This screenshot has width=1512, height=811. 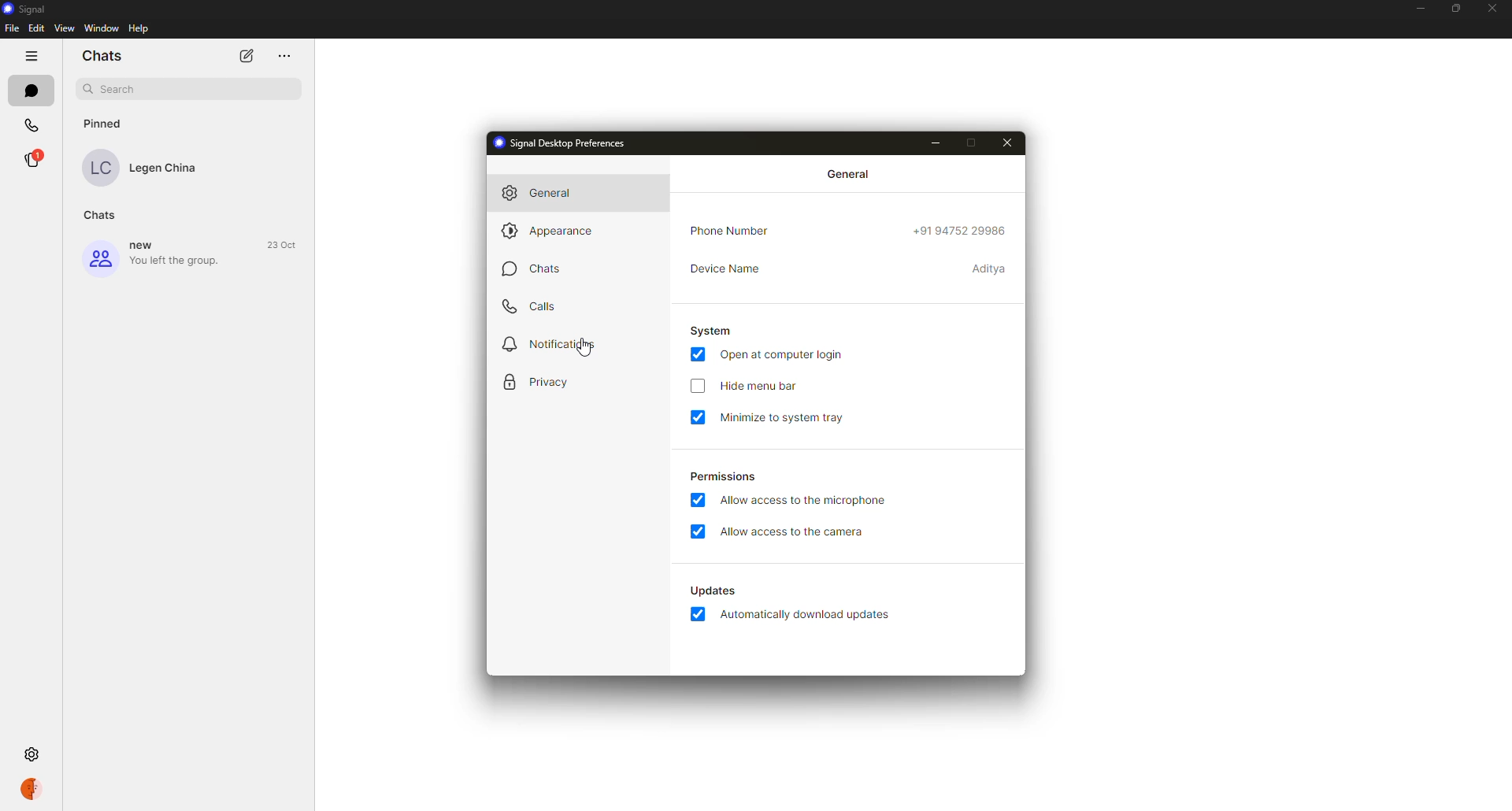 What do you see at coordinates (697, 613) in the screenshot?
I see `selected` at bounding box center [697, 613].